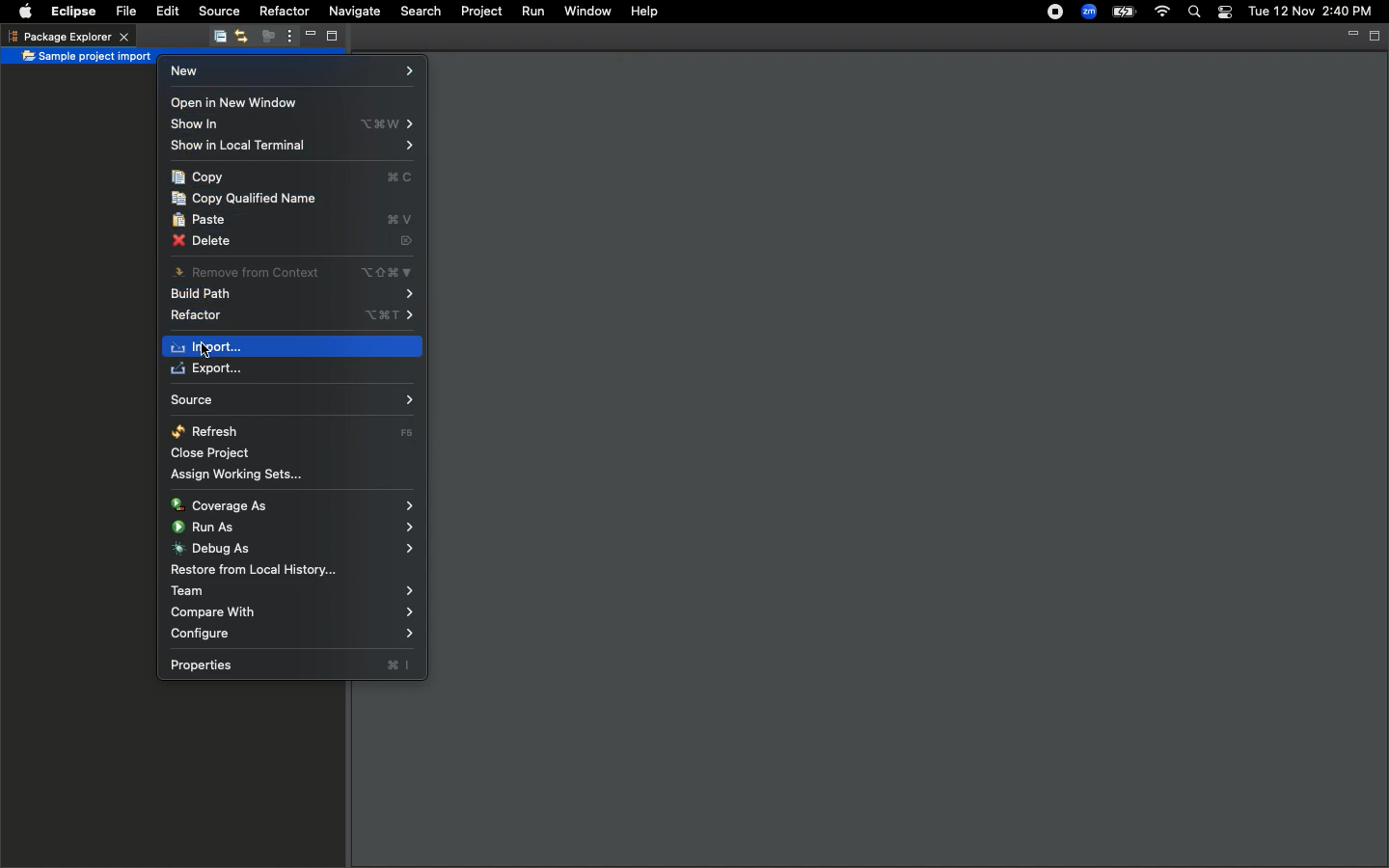 This screenshot has height=868, width=1389. Describe the element at coordinates (1350, 35) in the screenshot. I see `Minimize` at that location.